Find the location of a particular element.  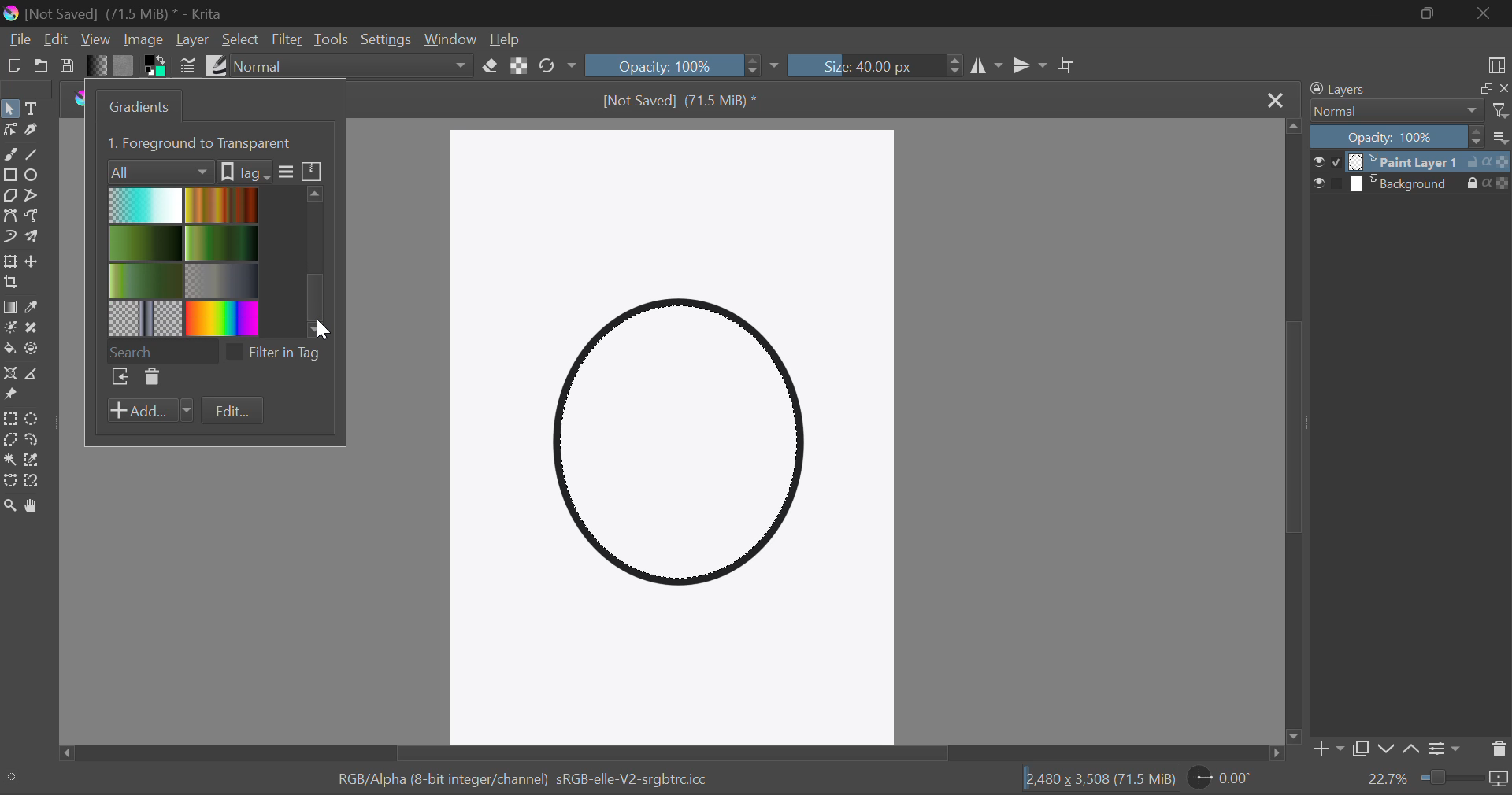

Circular Selection is located at coordinates (35, 417).